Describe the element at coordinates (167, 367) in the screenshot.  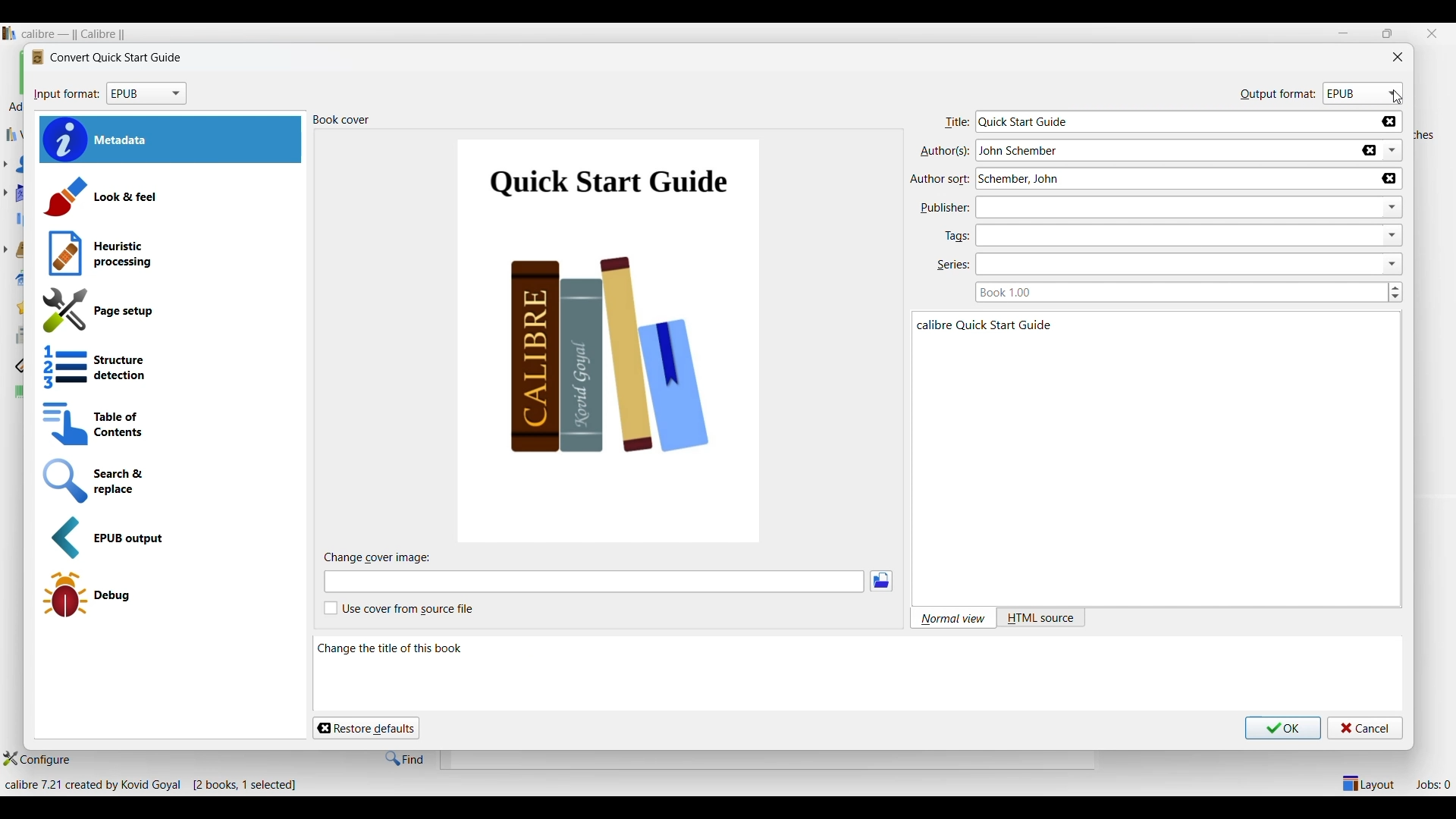
I see `Structure detection` at that location.